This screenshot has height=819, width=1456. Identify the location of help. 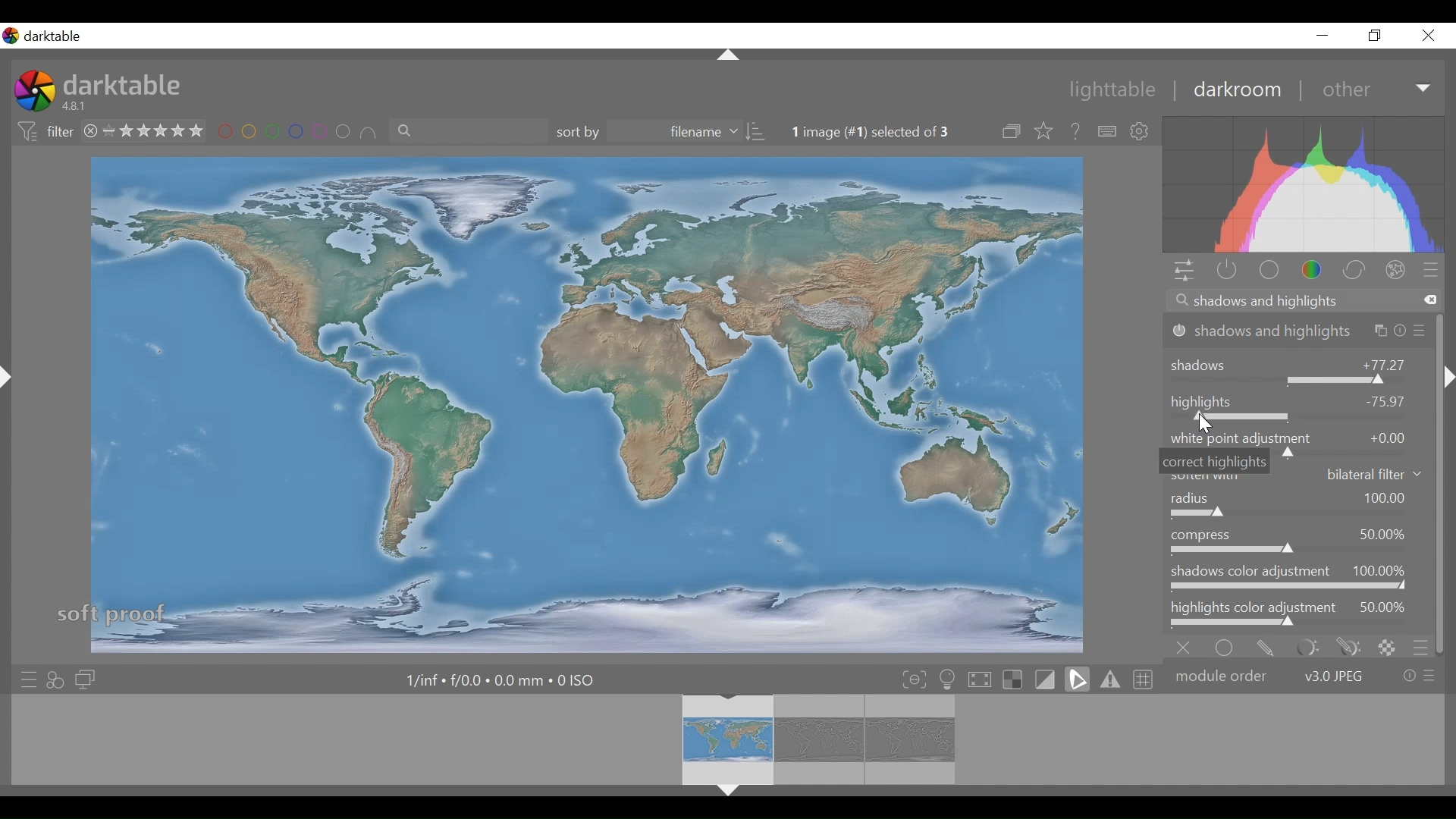
(1075, 131).